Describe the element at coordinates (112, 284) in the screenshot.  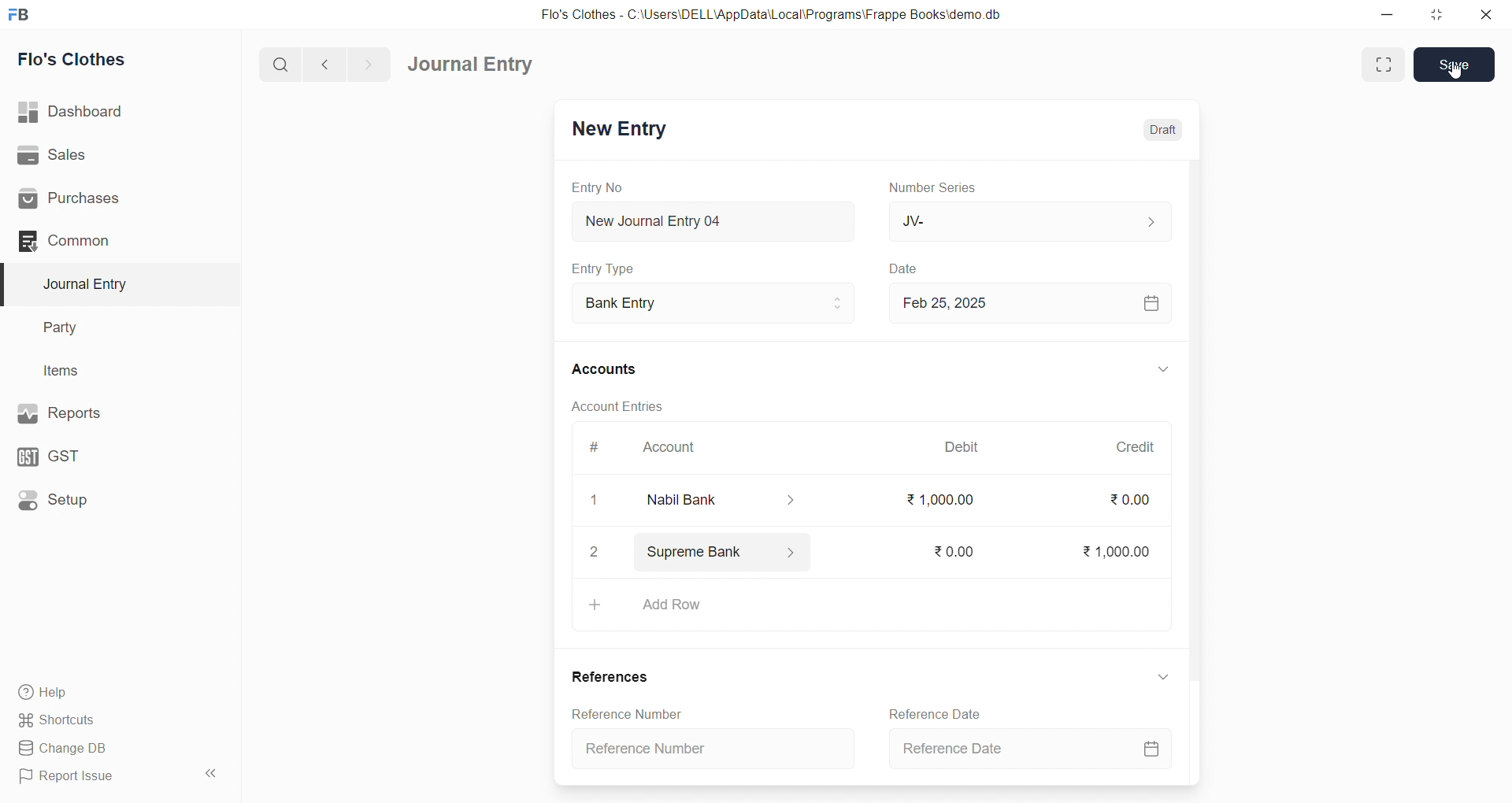
I see `Journal Entry` at that location.